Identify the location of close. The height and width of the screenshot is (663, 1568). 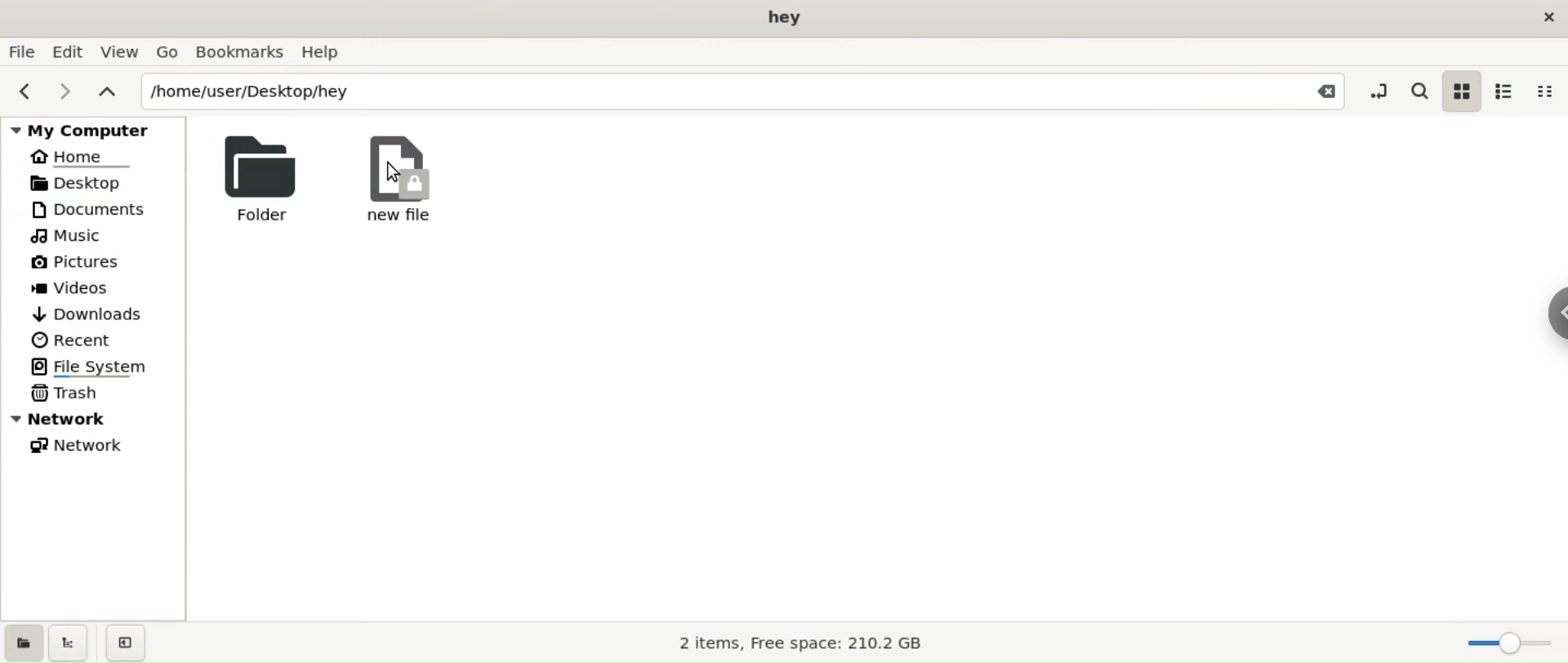
(1550, 22).